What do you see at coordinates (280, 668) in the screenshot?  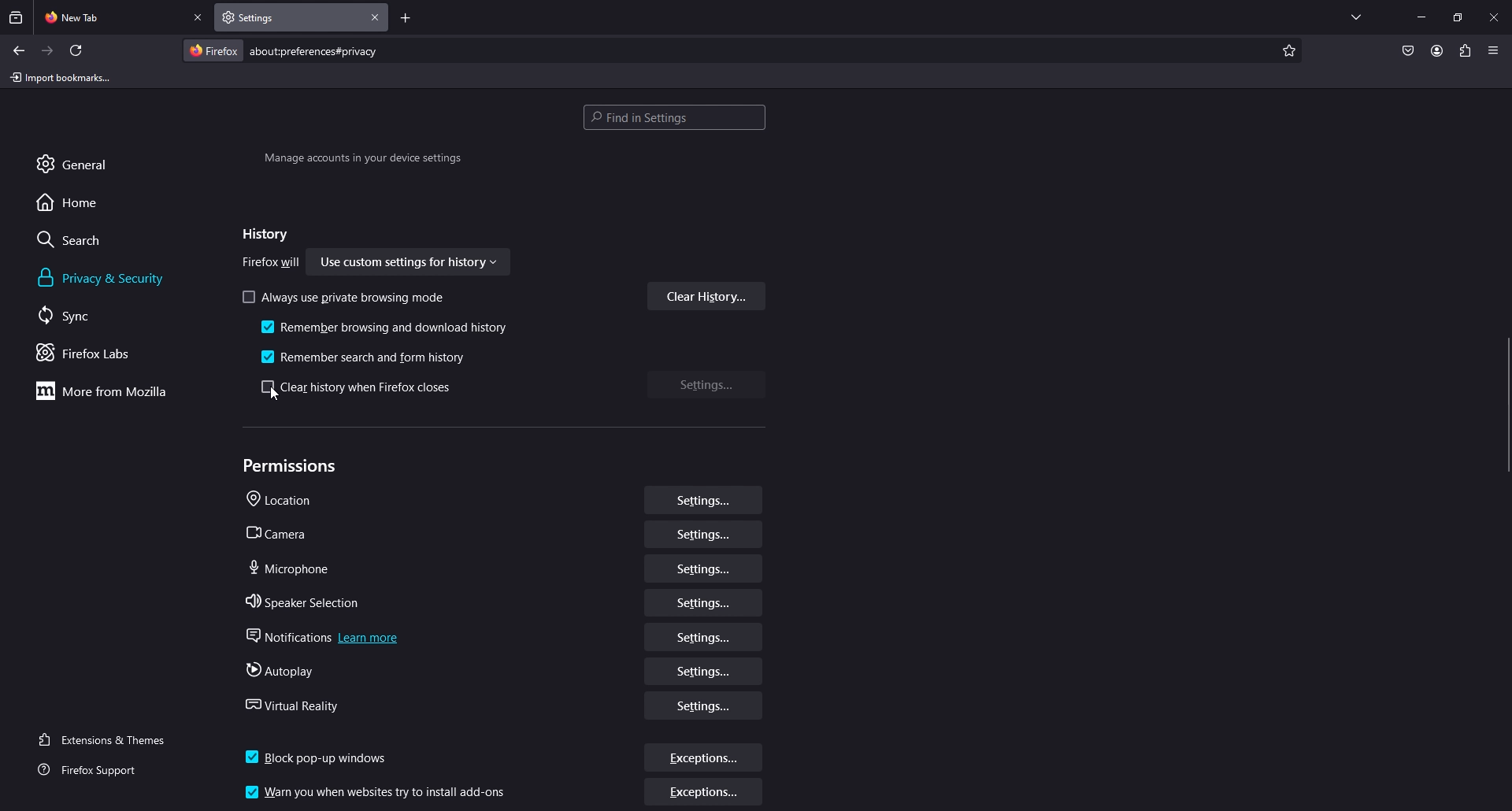 I see `autoplay` at bounding box center [280, 668].